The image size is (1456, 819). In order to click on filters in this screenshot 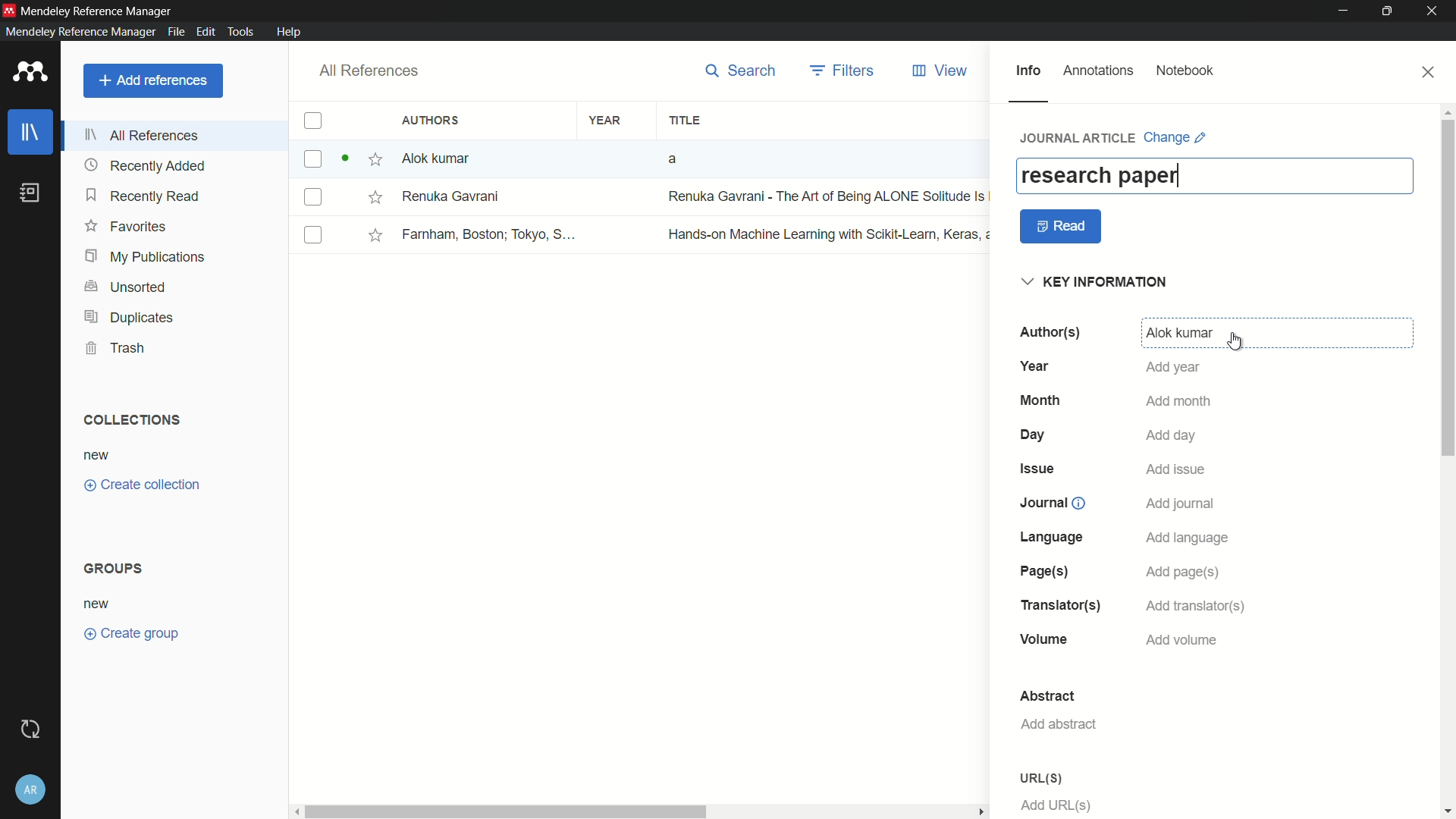, I will do `click(844, 71)`.